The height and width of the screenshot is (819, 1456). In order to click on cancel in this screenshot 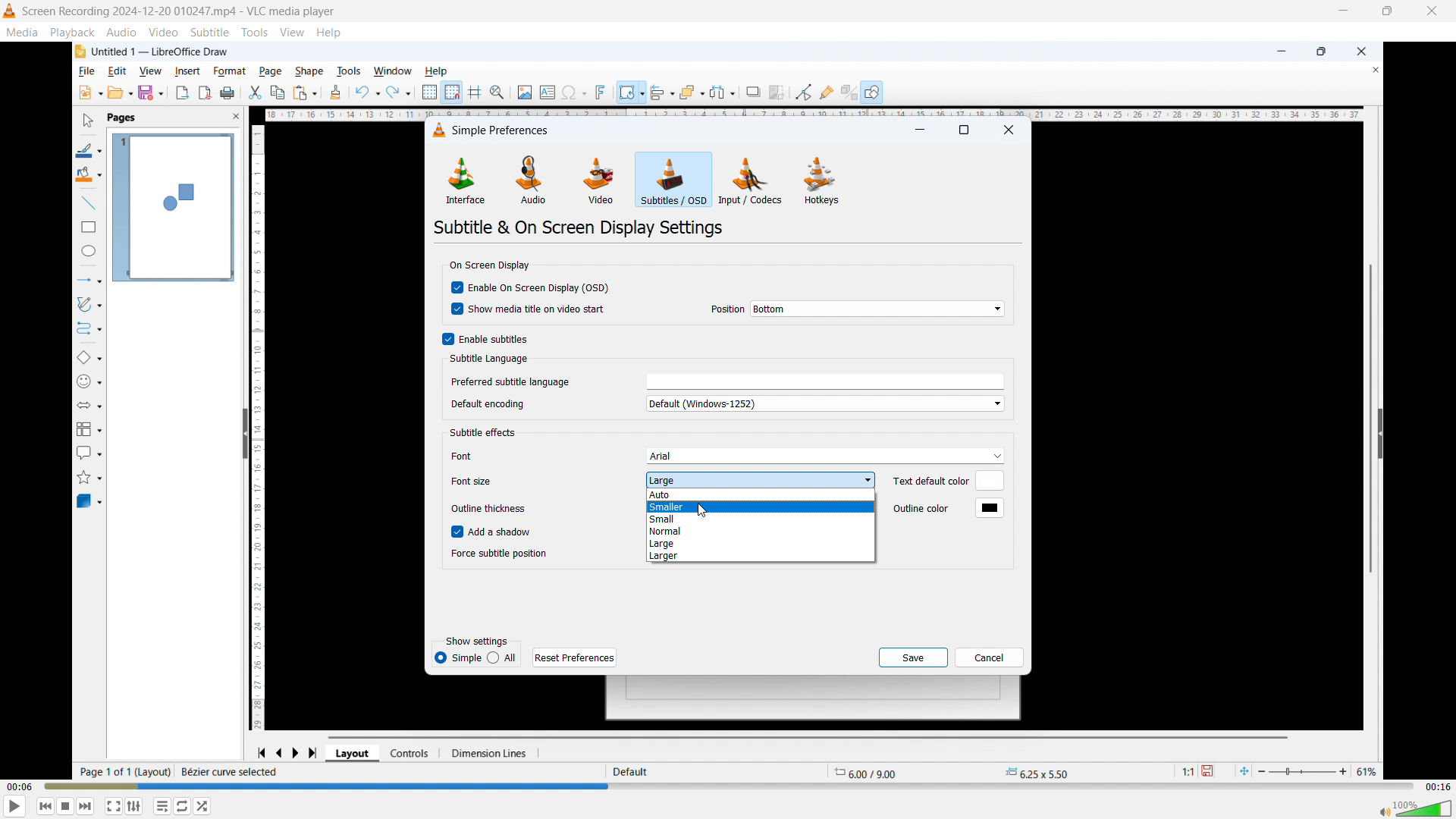, I will do `click(989, 657)`.